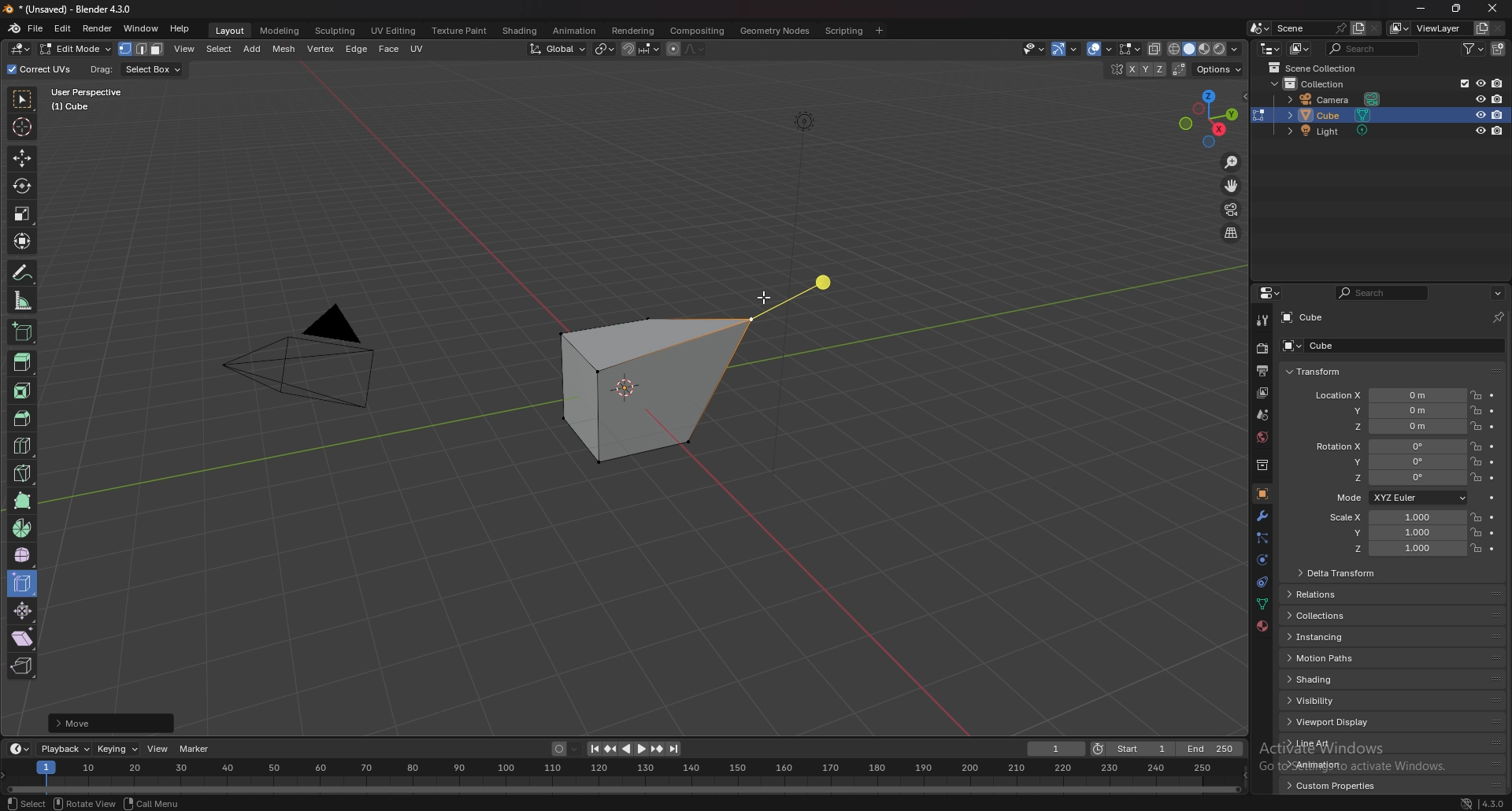  I want to click on edge slide, so click(23, 583).